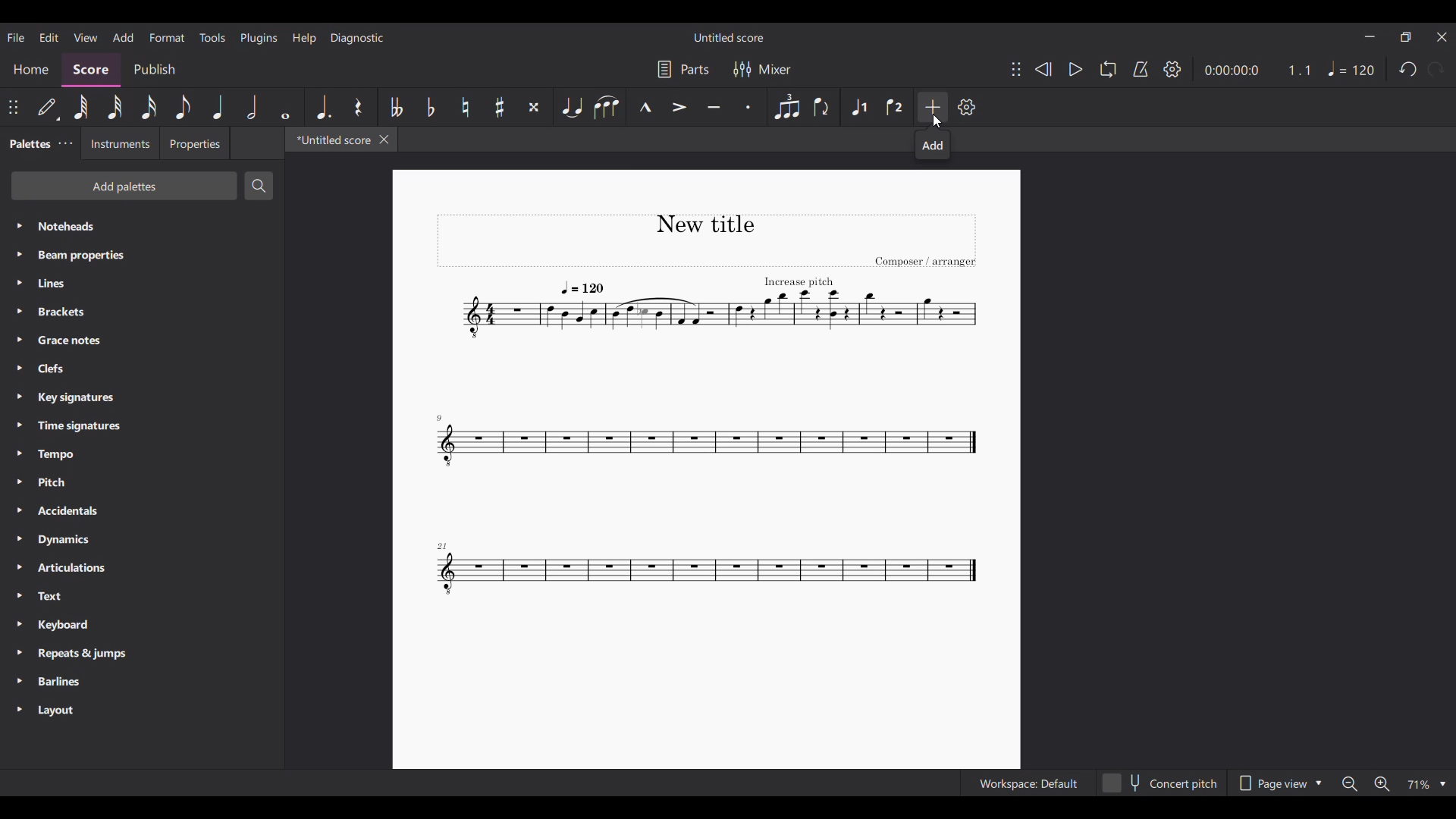 This screenshot has height=819, width=1456. I want to click on Add palettes, so click(124, 186).